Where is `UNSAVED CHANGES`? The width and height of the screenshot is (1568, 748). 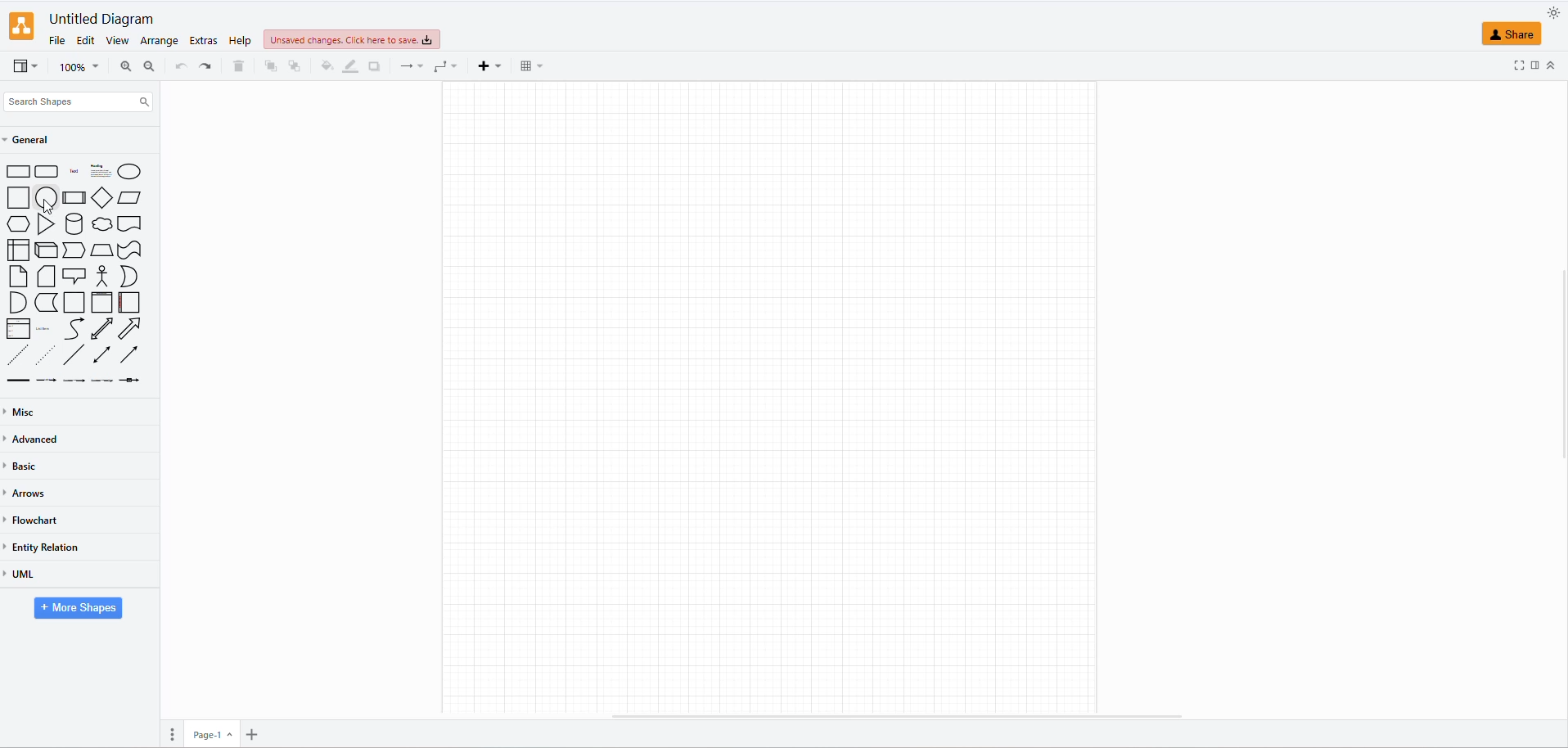
UNSAVED CHANGES is located at coordinates (369, 40).